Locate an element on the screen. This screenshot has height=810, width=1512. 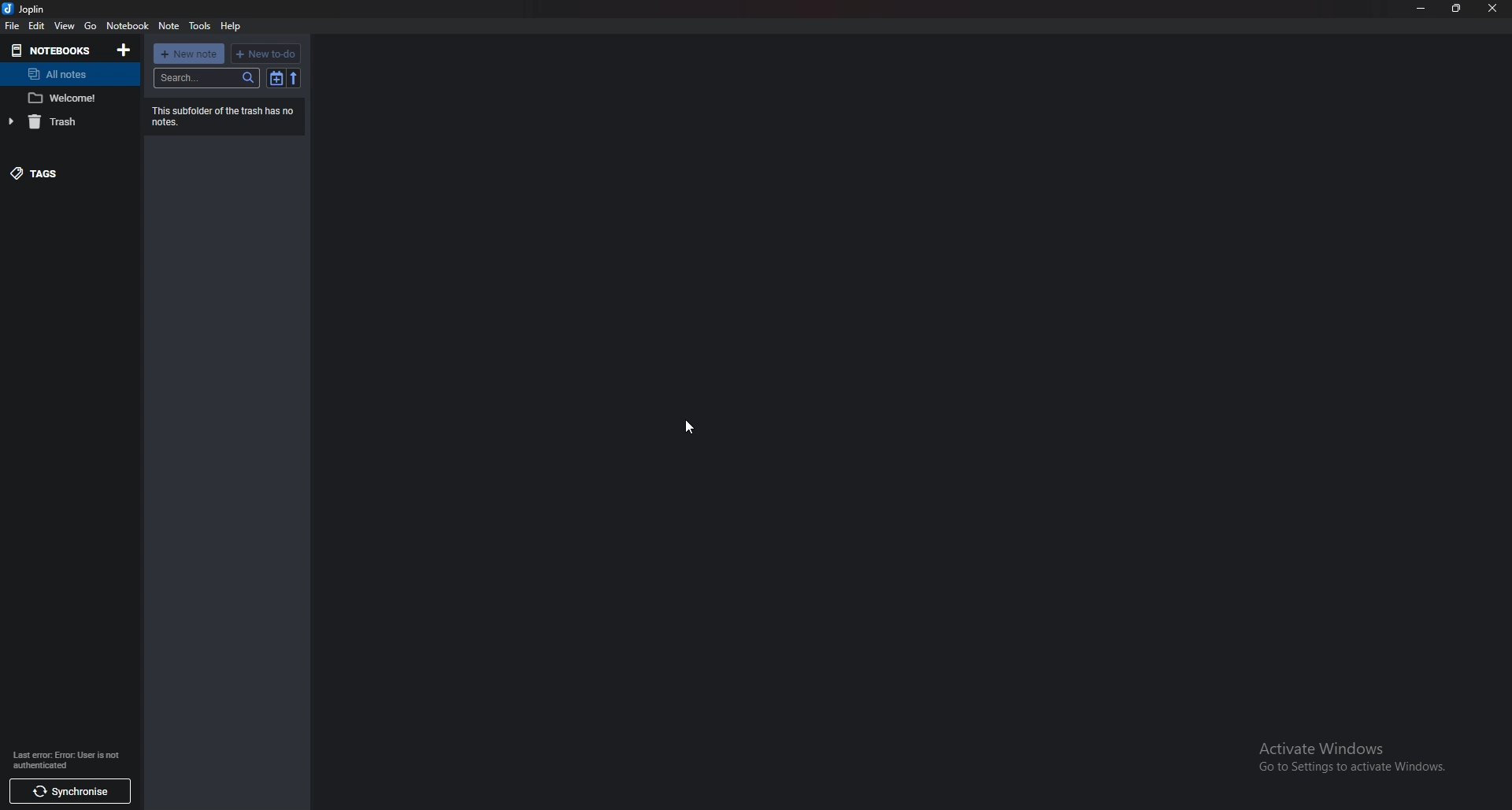
Notebooks is located at coordinates (54, 50).